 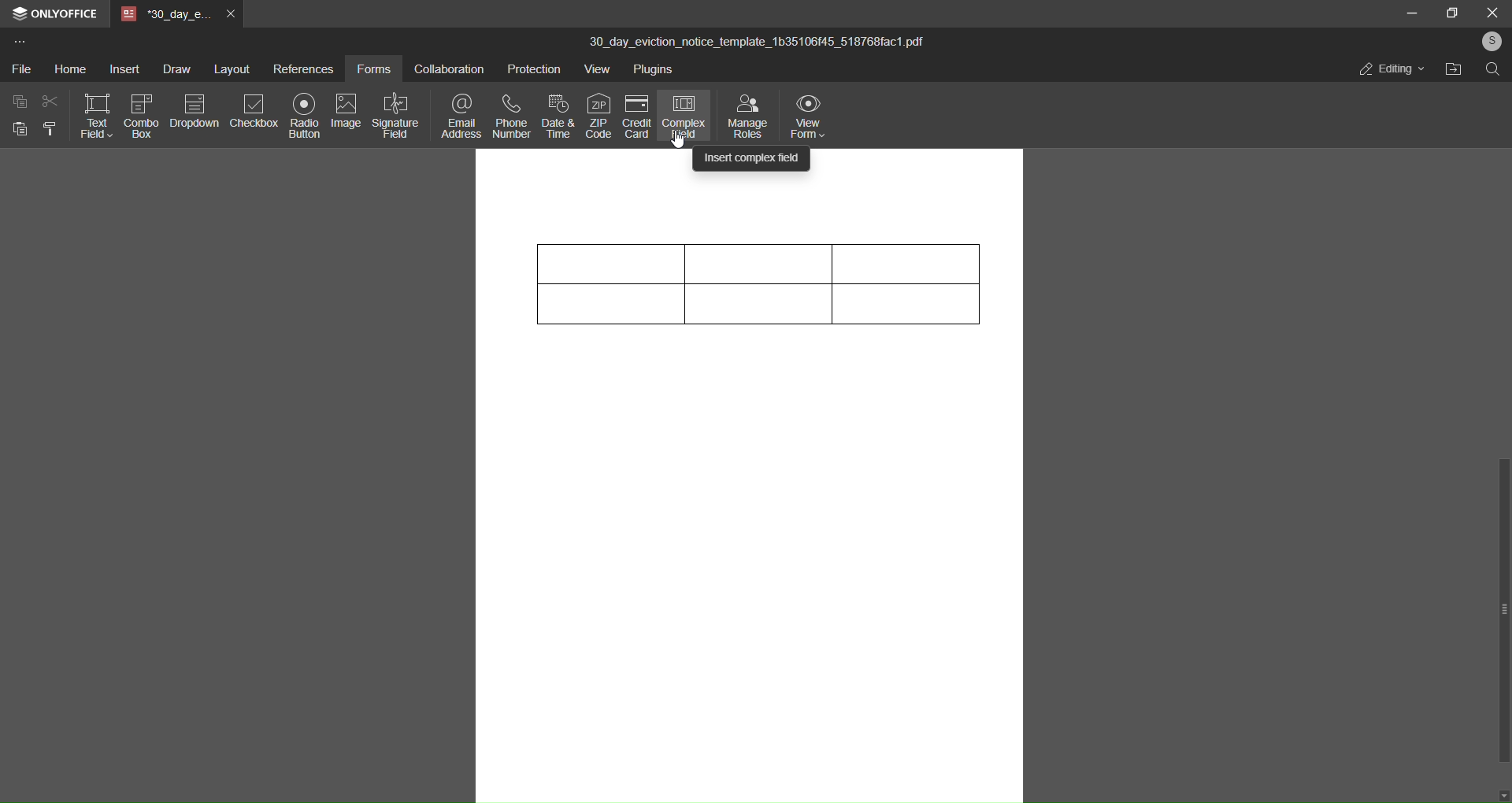 I want to click on more, so click(x=19, y=43).